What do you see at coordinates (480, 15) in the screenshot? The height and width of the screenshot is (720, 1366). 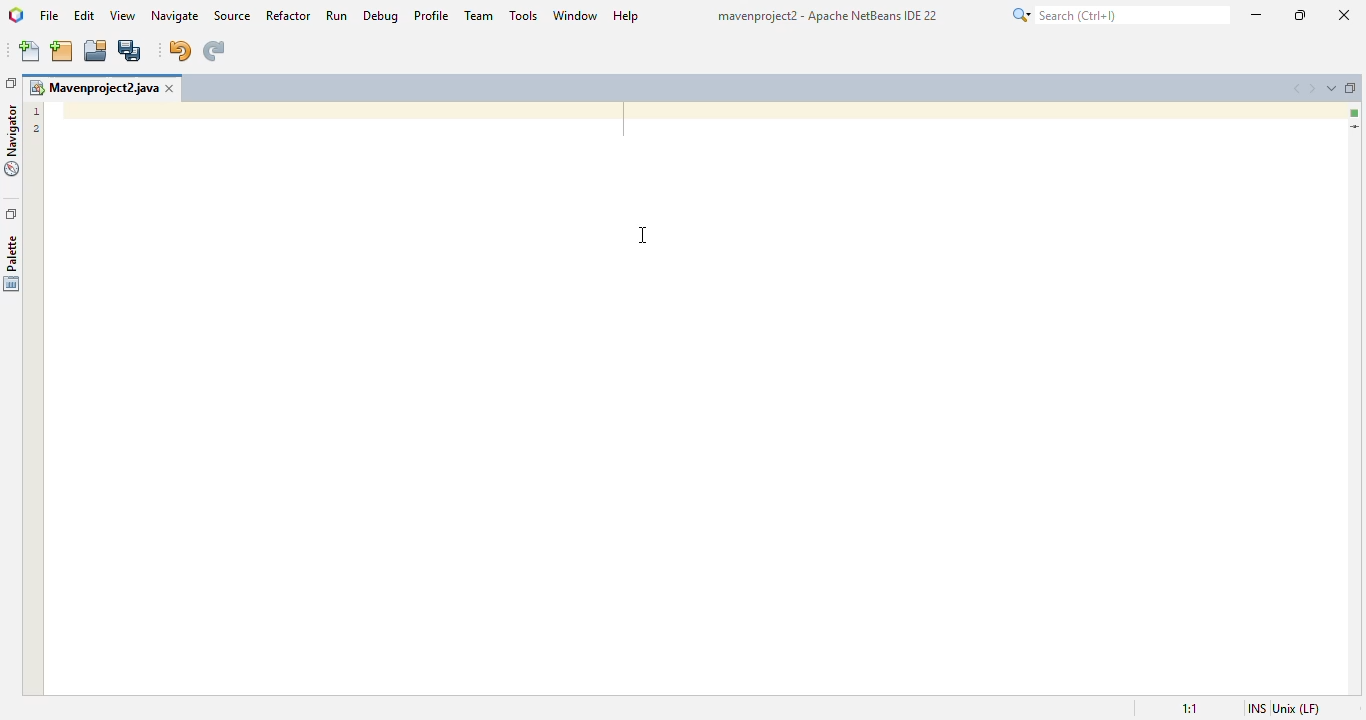 I see `team` at bounding box center [480, 15].